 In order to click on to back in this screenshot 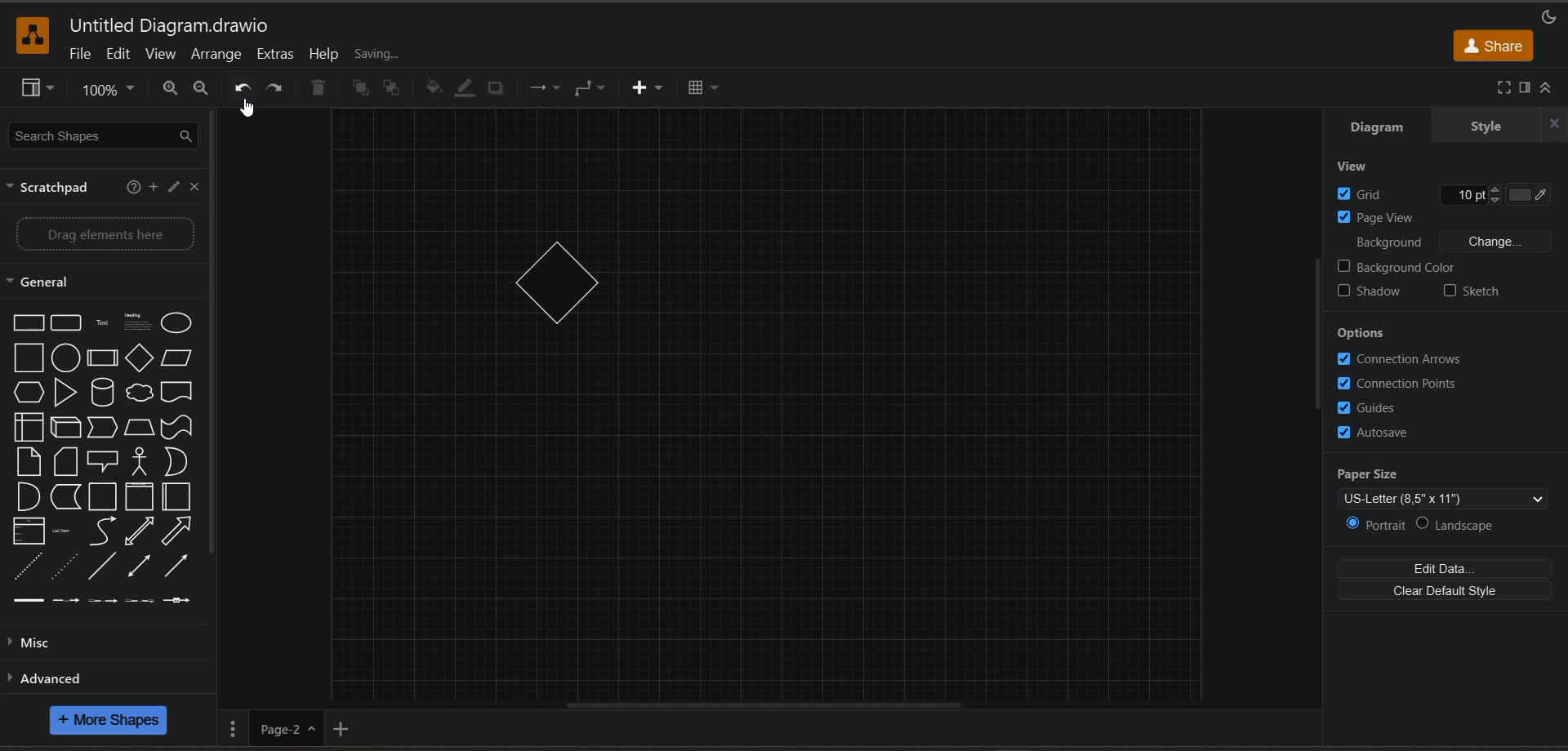, I will do `click(393, 91)`.